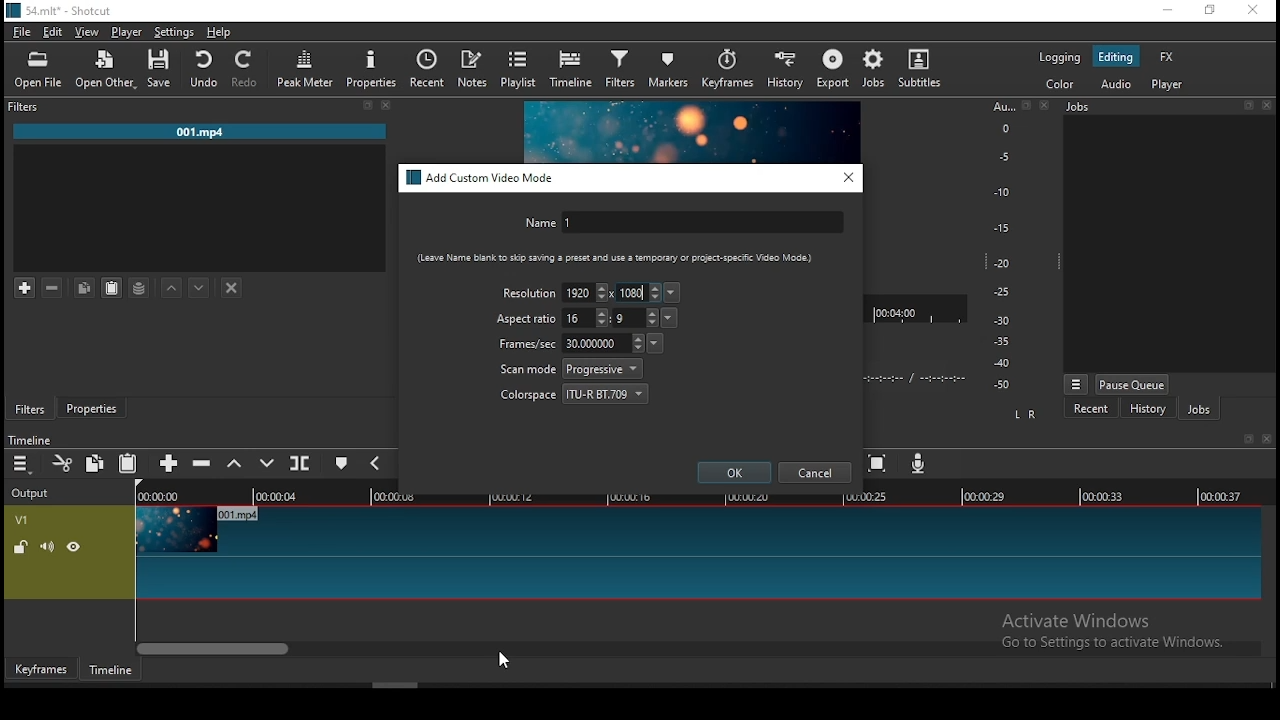 Image resolution: width=1280 pixels, height=720 pixels. Describe the element at coordinates (584, 292) in the screenshot. I see `width` at that location.